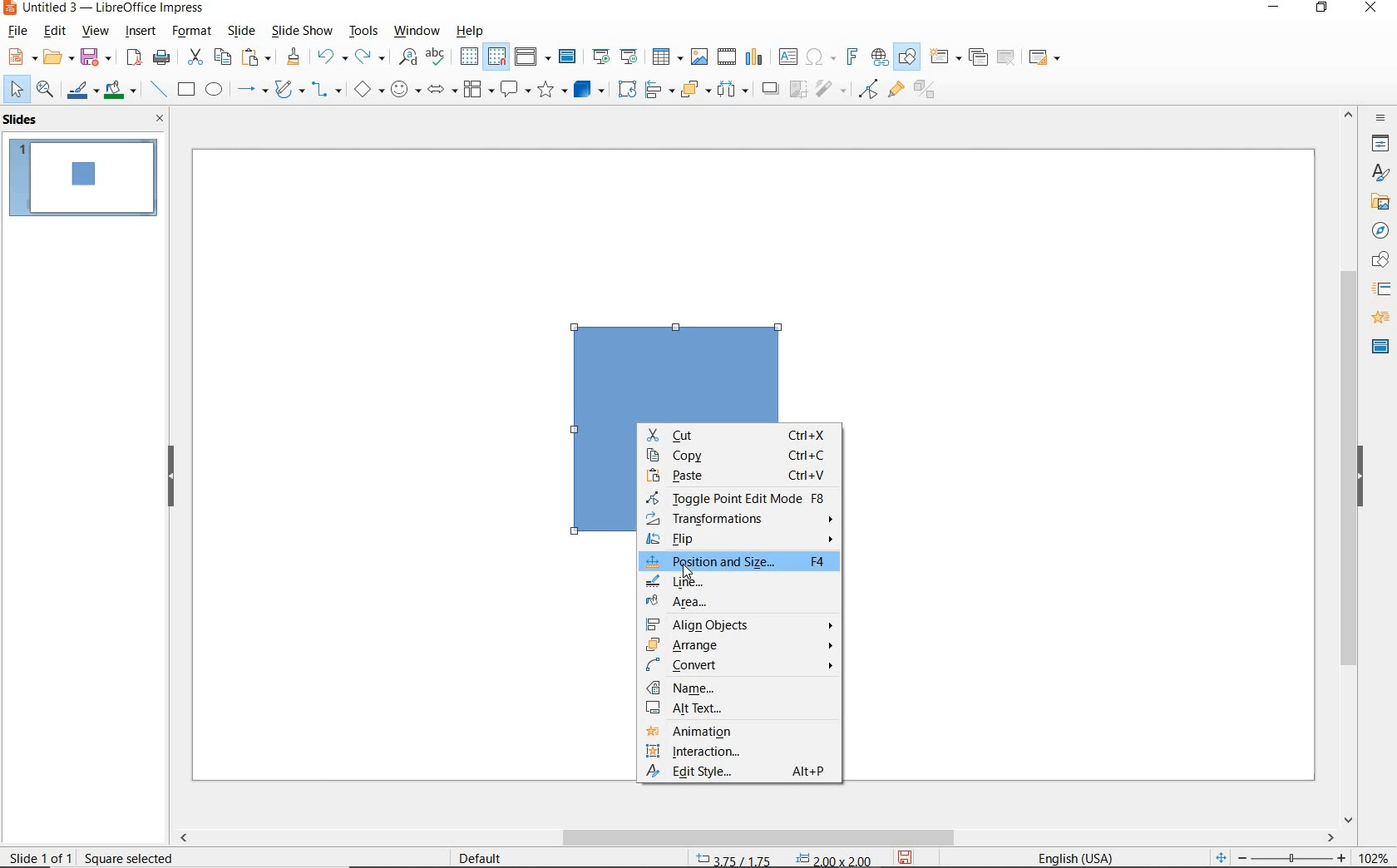  I want to click on zoom factor, so click(1374, 854).